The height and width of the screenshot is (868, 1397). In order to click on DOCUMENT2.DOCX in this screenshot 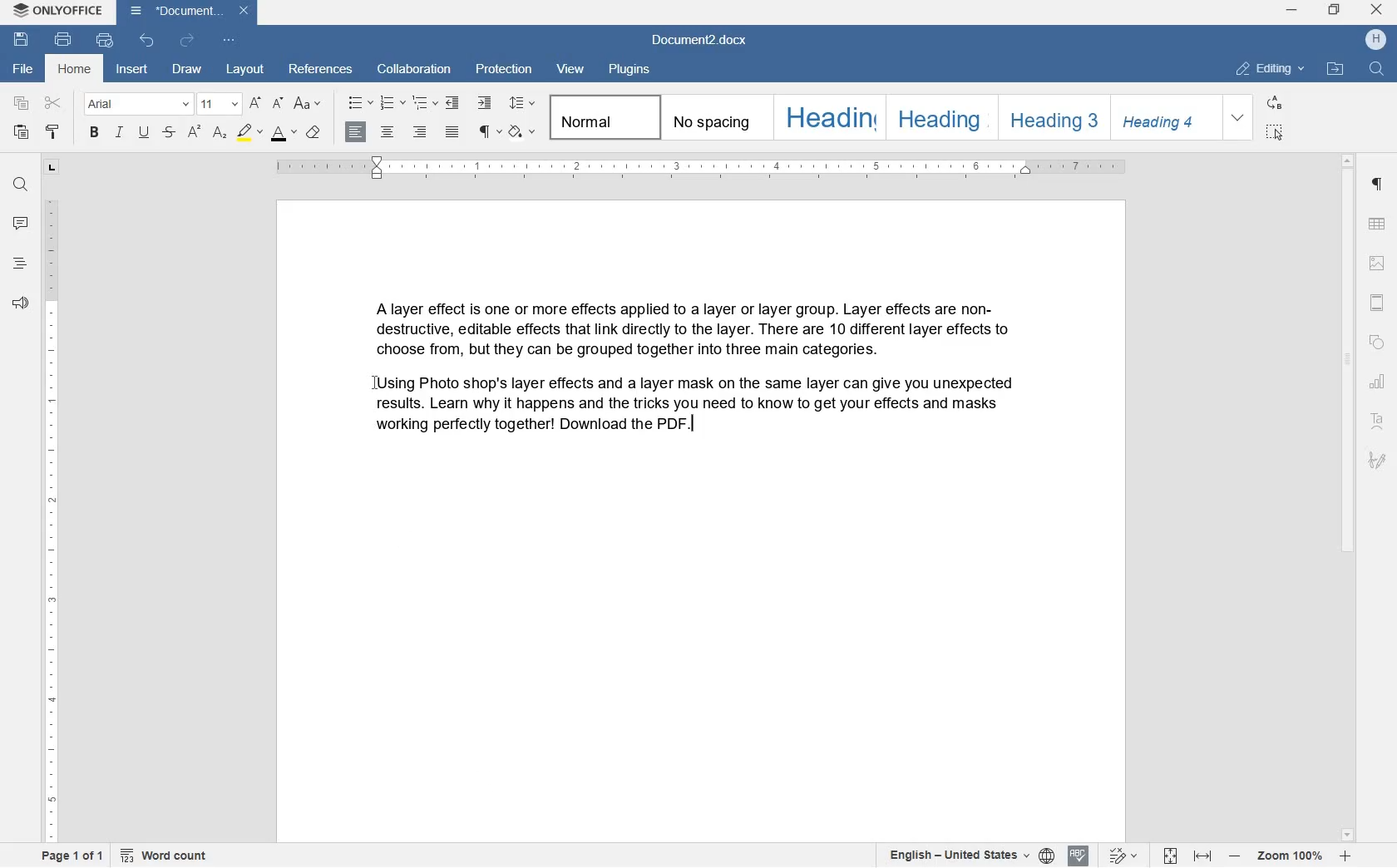, I will do `click(703, 41)`.